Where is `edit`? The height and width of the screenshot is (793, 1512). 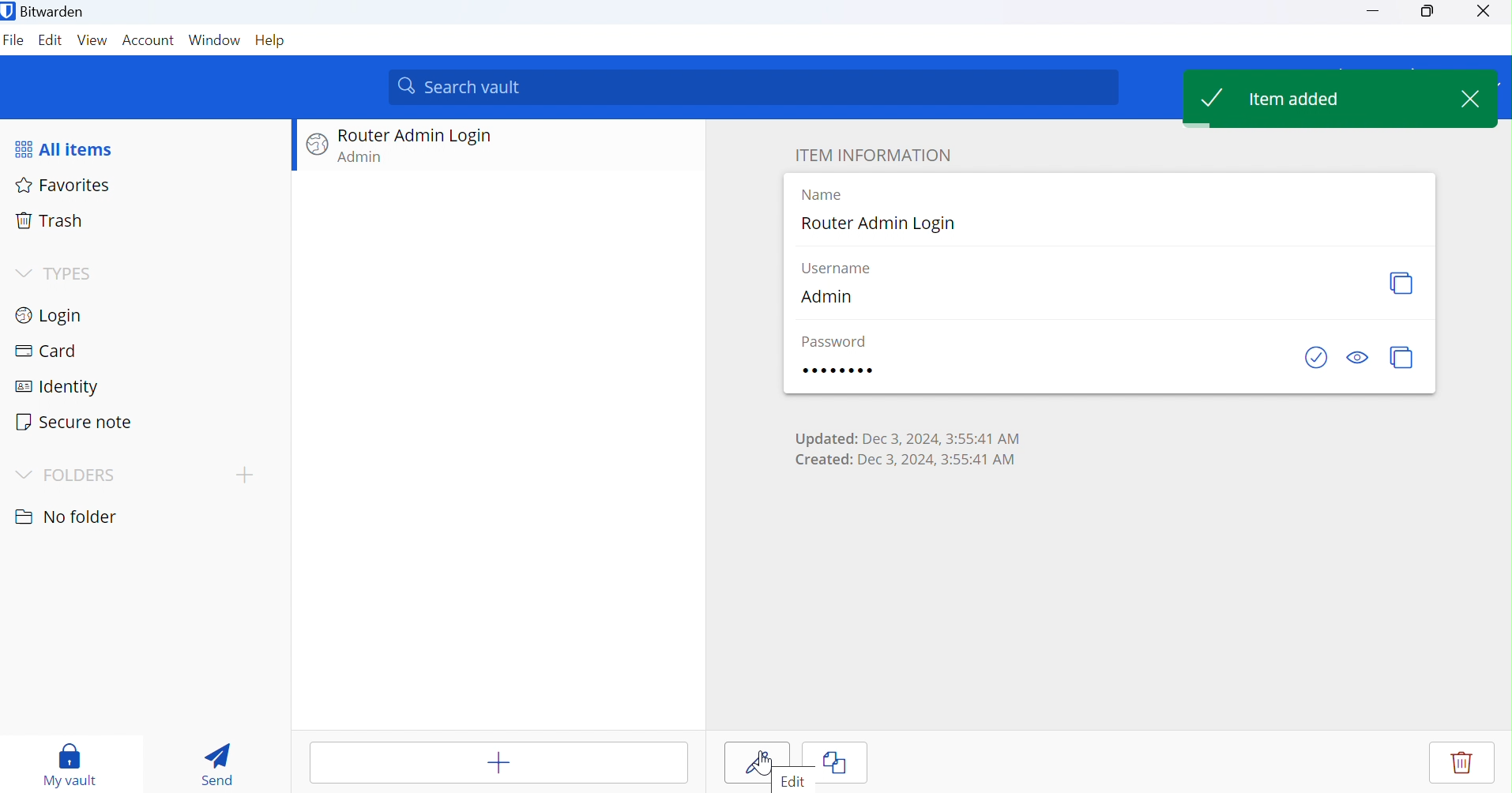 edit is located at coordinates (747, 764).